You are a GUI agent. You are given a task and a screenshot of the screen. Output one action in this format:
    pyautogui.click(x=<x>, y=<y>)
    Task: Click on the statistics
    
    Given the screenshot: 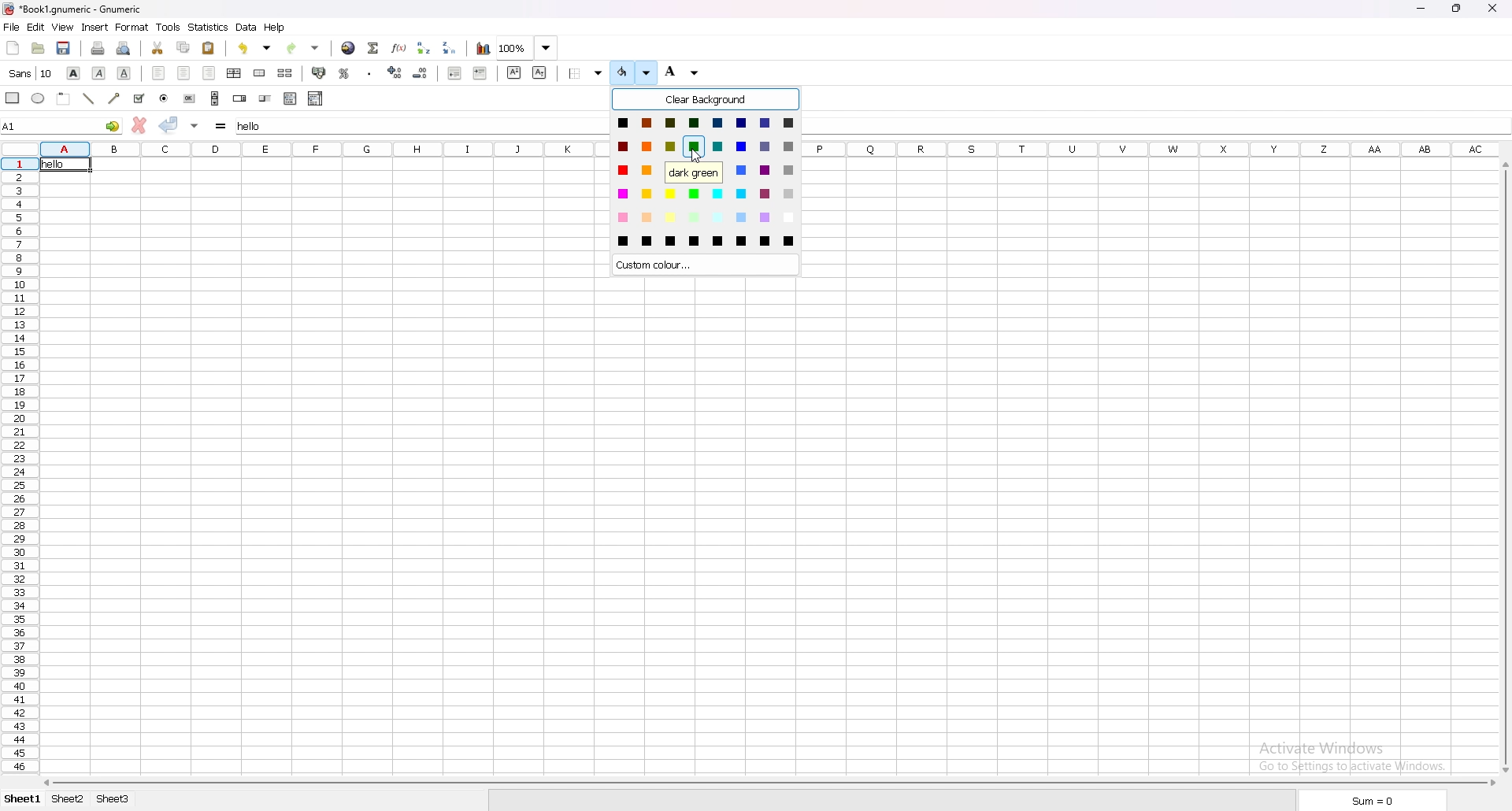 What is the action you would take?
    pyautogui.click(x=208, y=27)
    